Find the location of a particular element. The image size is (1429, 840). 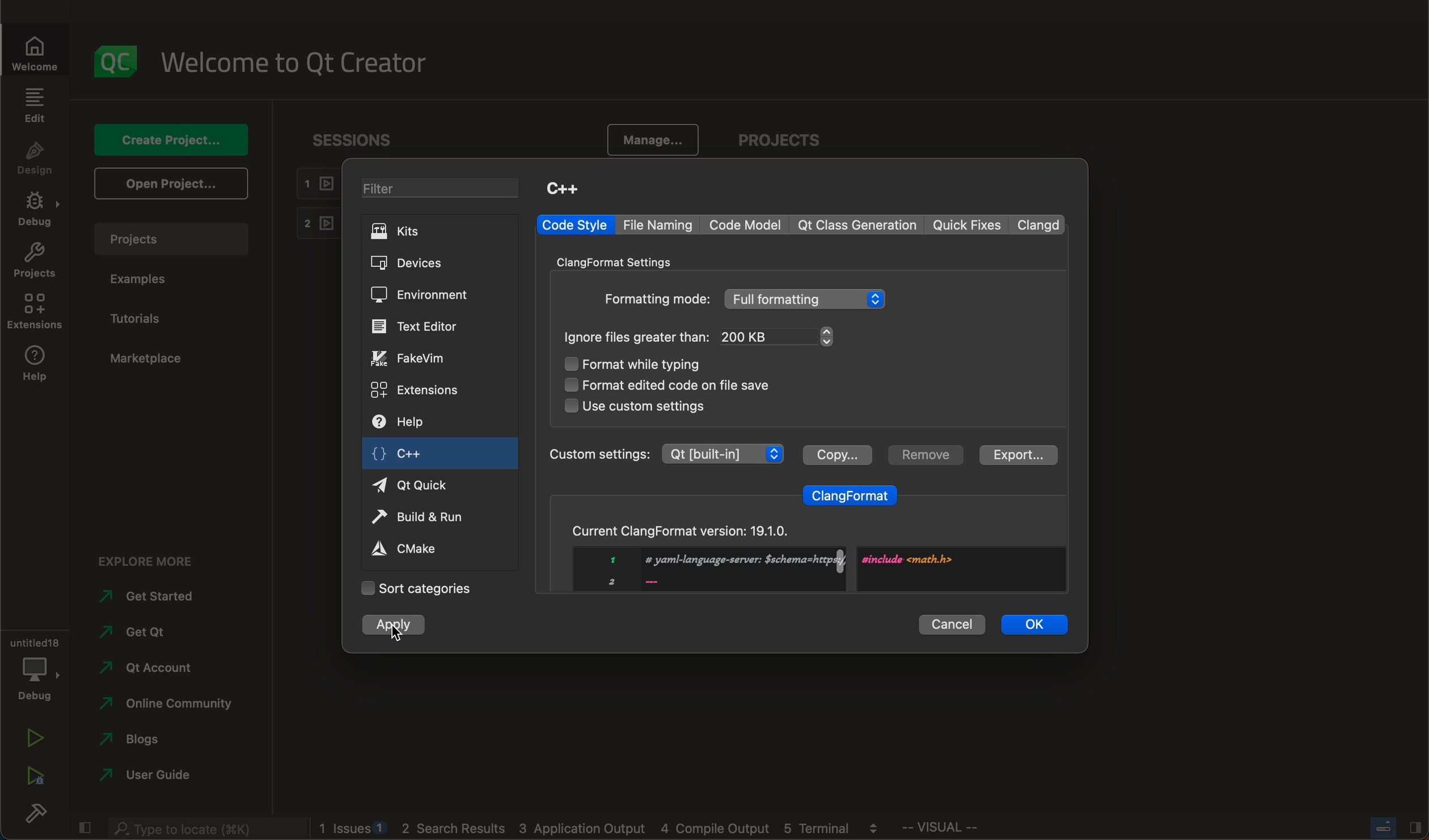

cancel is located at coordinates (952, 622).